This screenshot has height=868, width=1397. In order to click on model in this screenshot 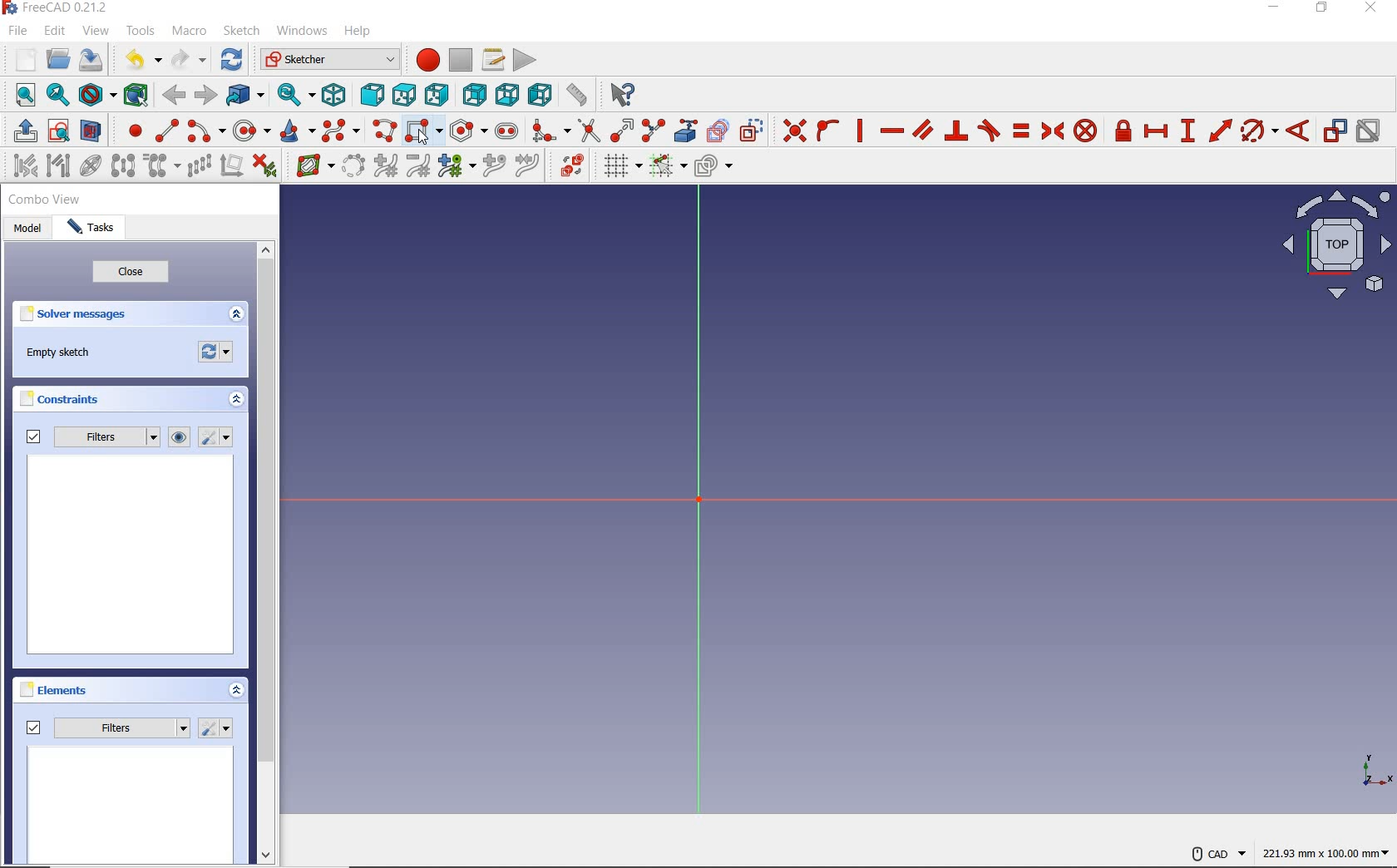, I will do `click(30, 230)`.